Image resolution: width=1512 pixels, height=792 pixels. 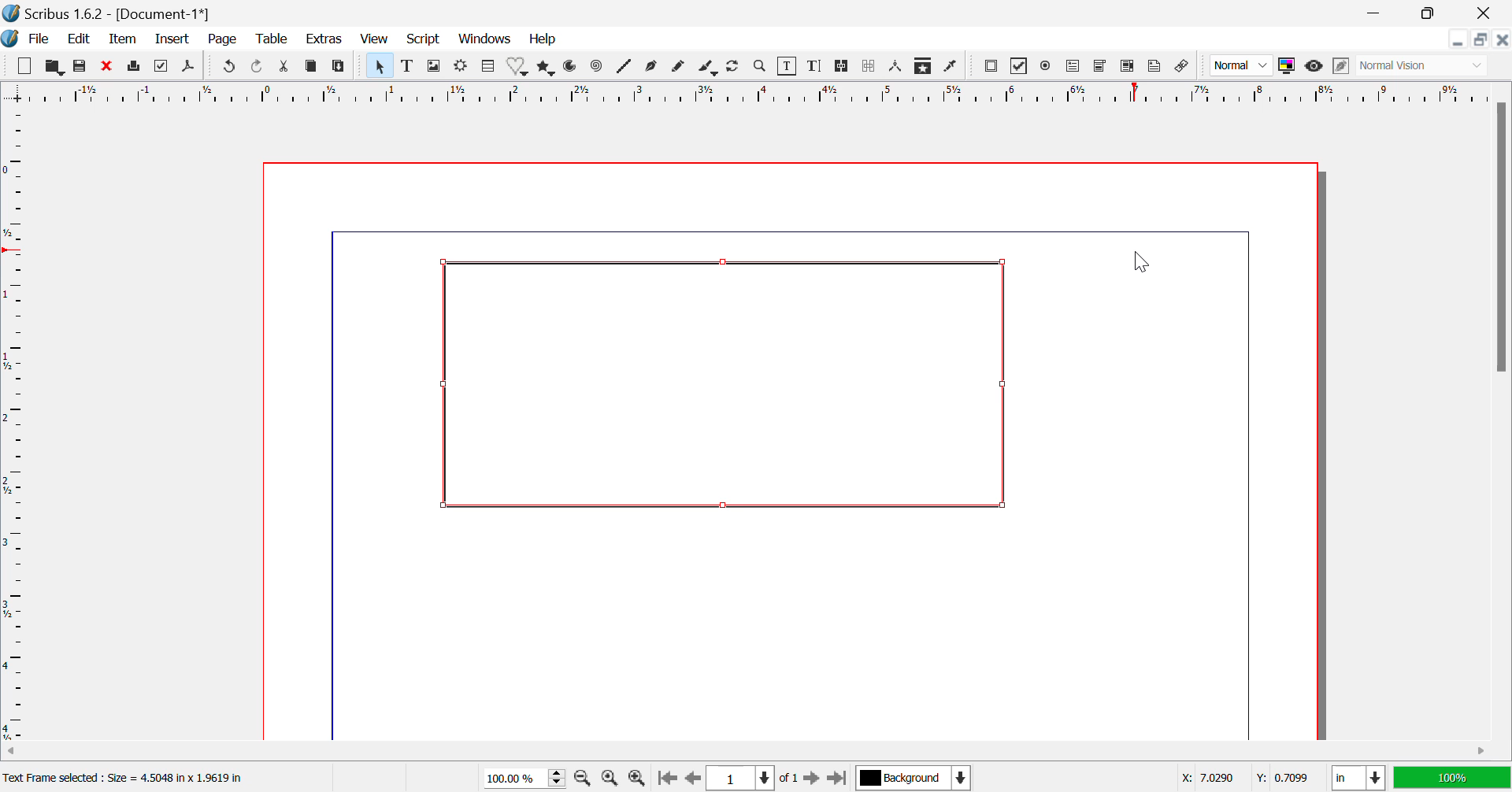 I want to click on Close, so click(x=1484, y=13).